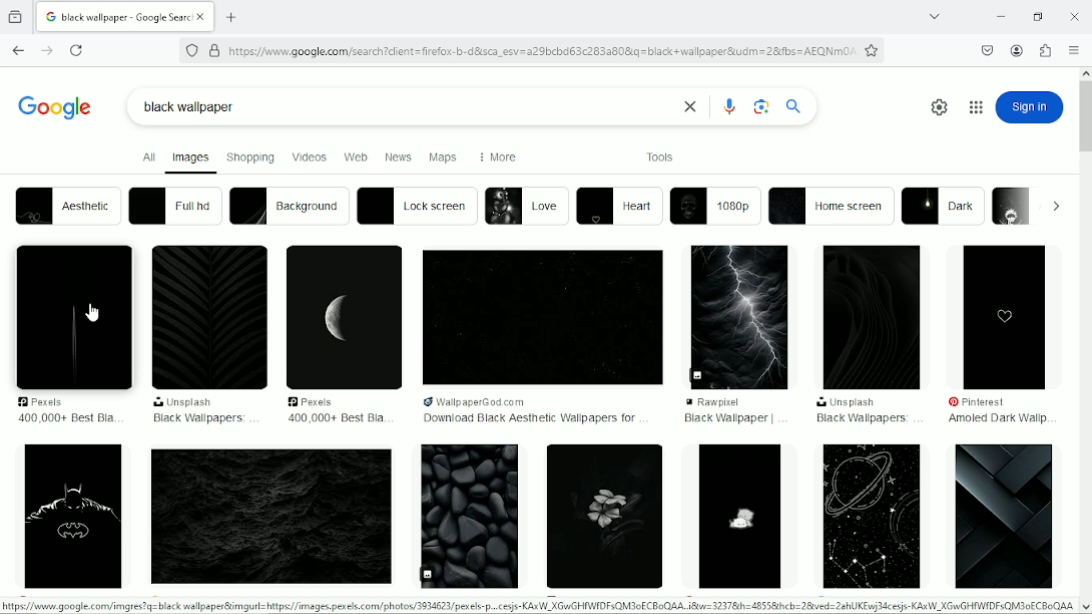 The height and width of the screenshot is (614, 1092). Describe the element at coordinates (73, 519) in the screenshot. I see `black wallpaper image` at that location.